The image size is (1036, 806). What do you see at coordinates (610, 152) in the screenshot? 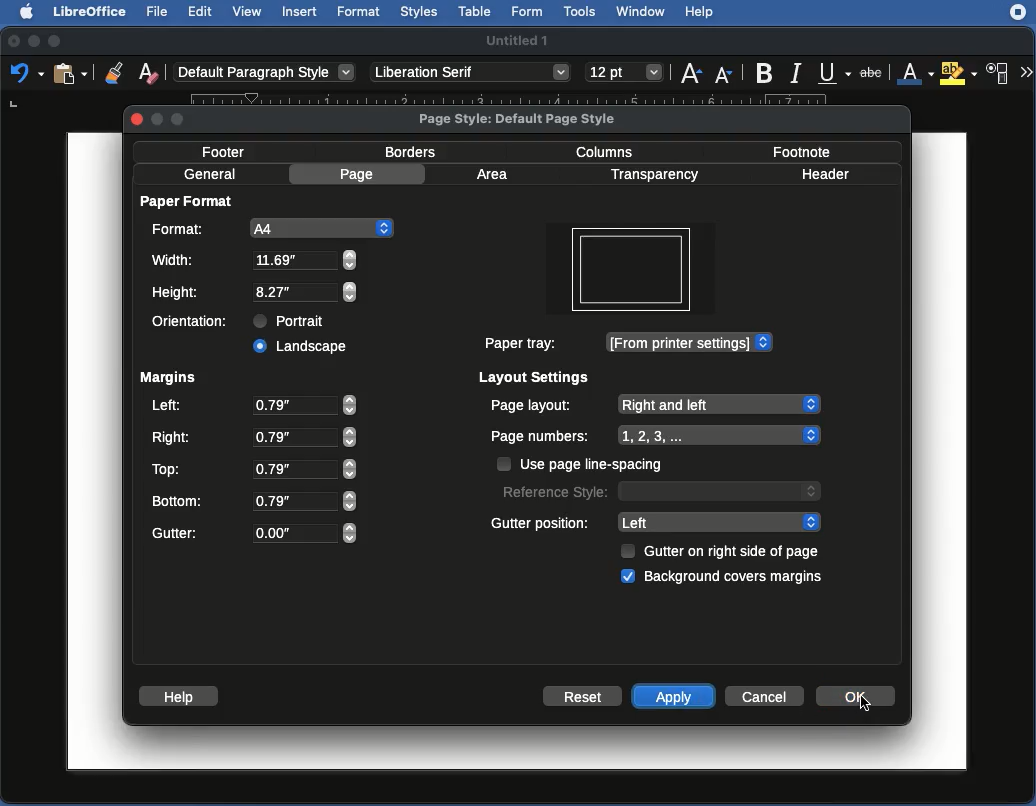
I see `Columns` at bounding box center [610, 152].